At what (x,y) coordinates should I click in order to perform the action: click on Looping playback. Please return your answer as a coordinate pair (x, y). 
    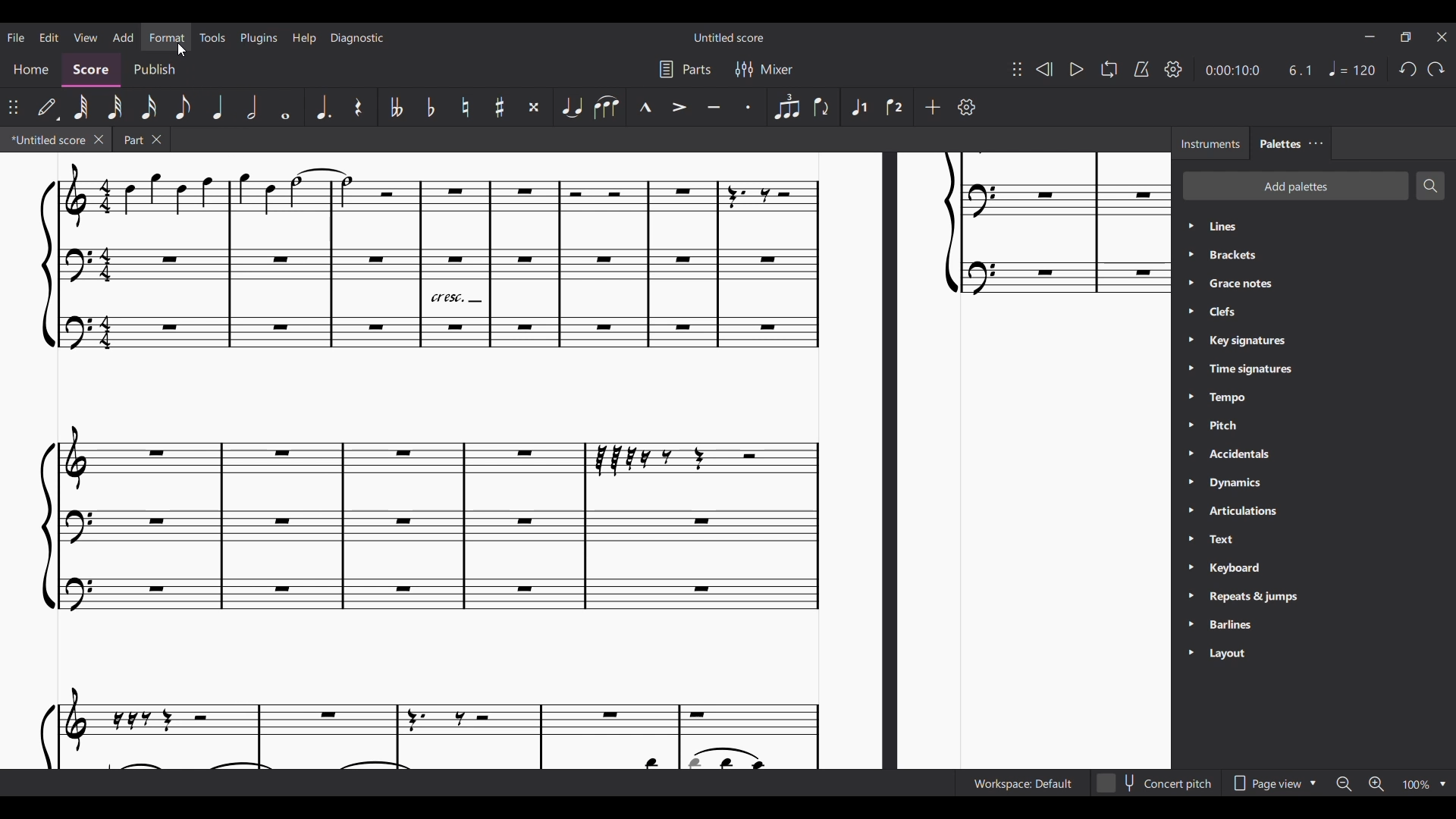
    Looking at the image, I should click on (1109, 69).